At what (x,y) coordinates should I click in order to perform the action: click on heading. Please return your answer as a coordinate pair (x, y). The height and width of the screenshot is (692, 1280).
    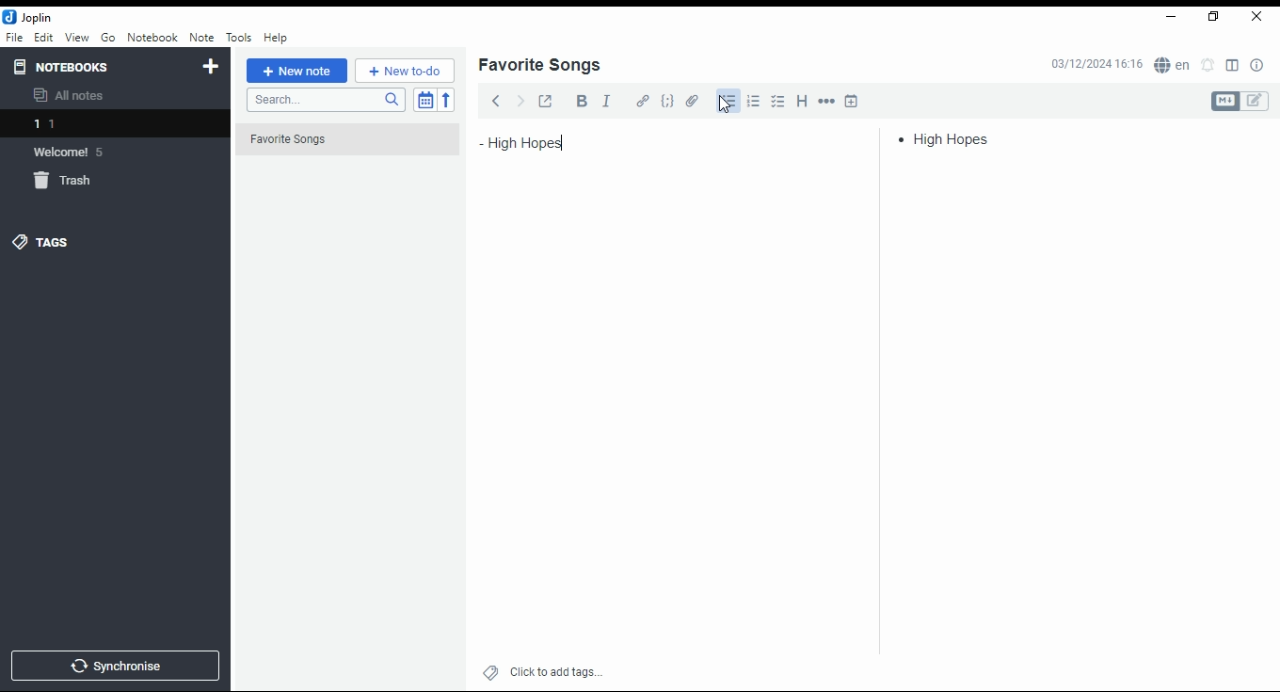
    Looking at the image, I should click on (803, 99).